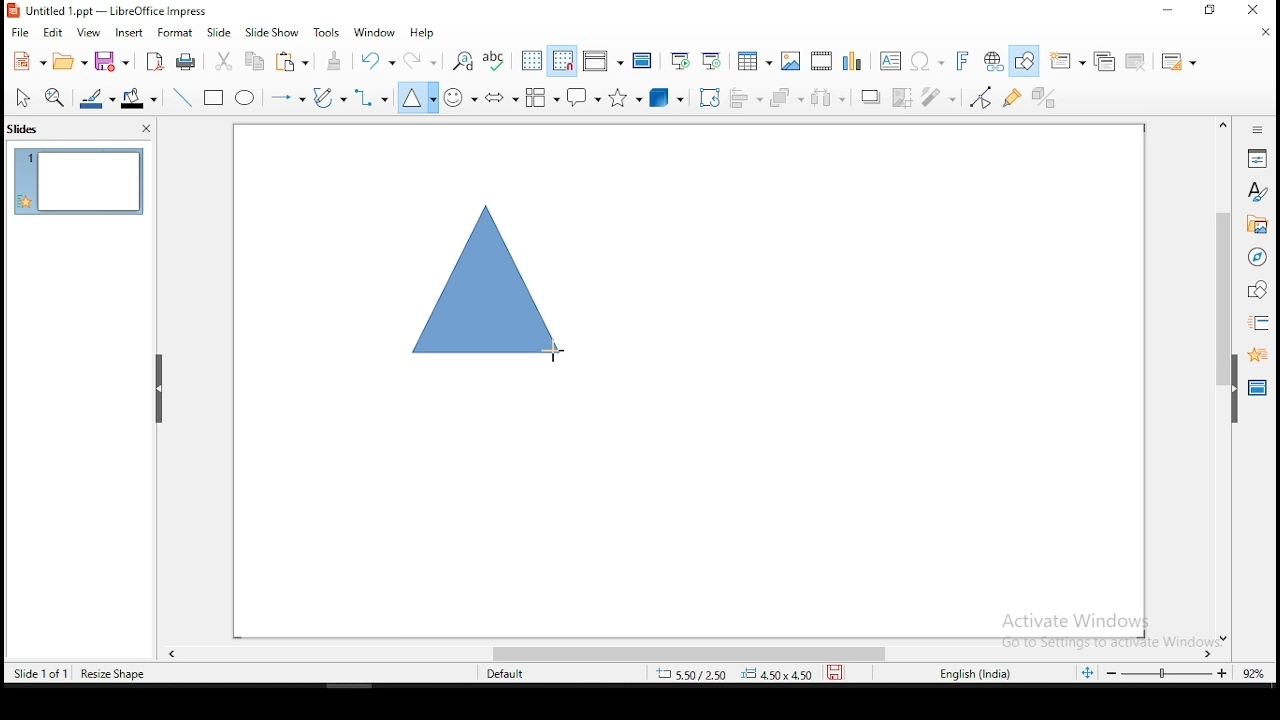  I want to click on new, so click(28, 61).